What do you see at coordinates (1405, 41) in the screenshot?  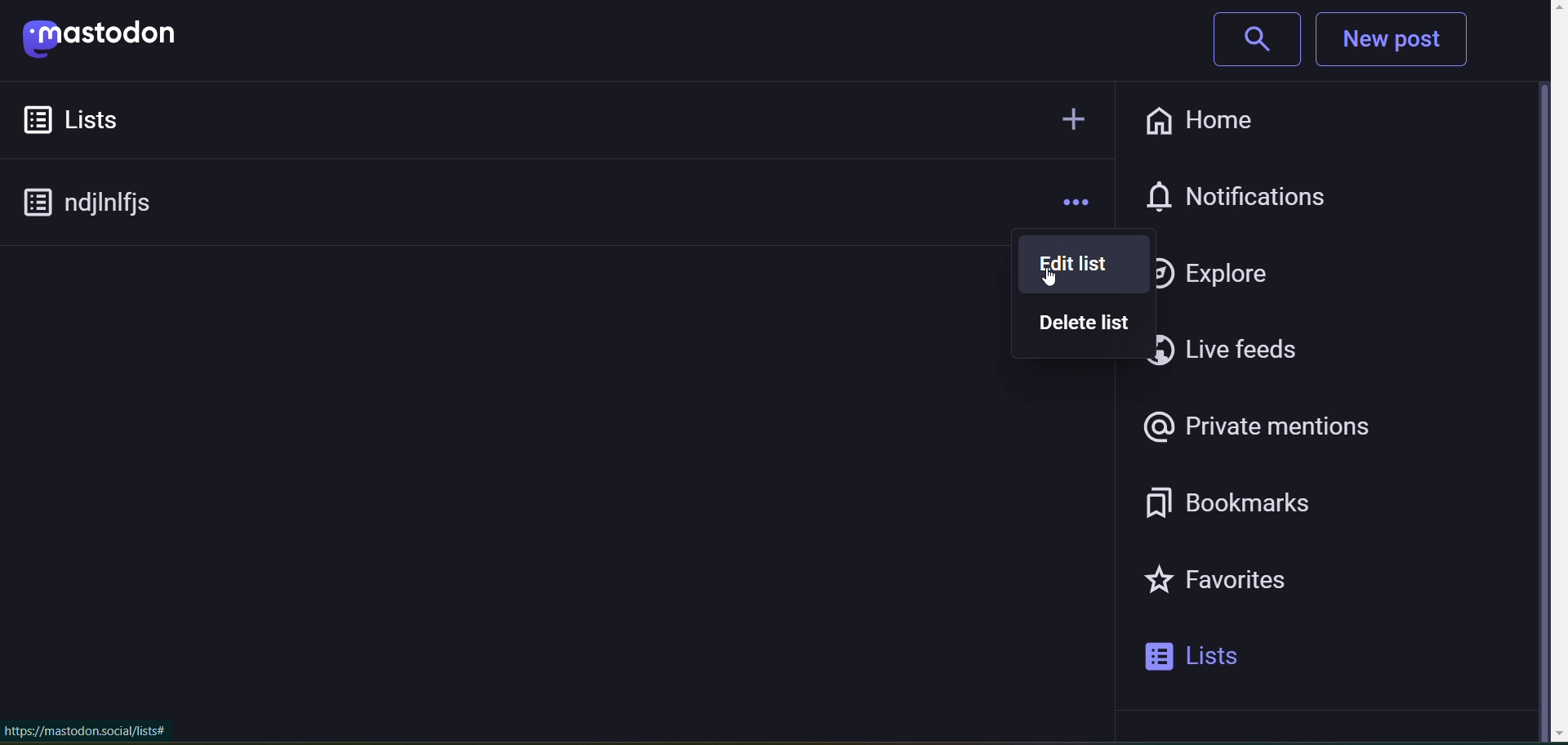 I see `new post` at bounding box center [1405, 41].